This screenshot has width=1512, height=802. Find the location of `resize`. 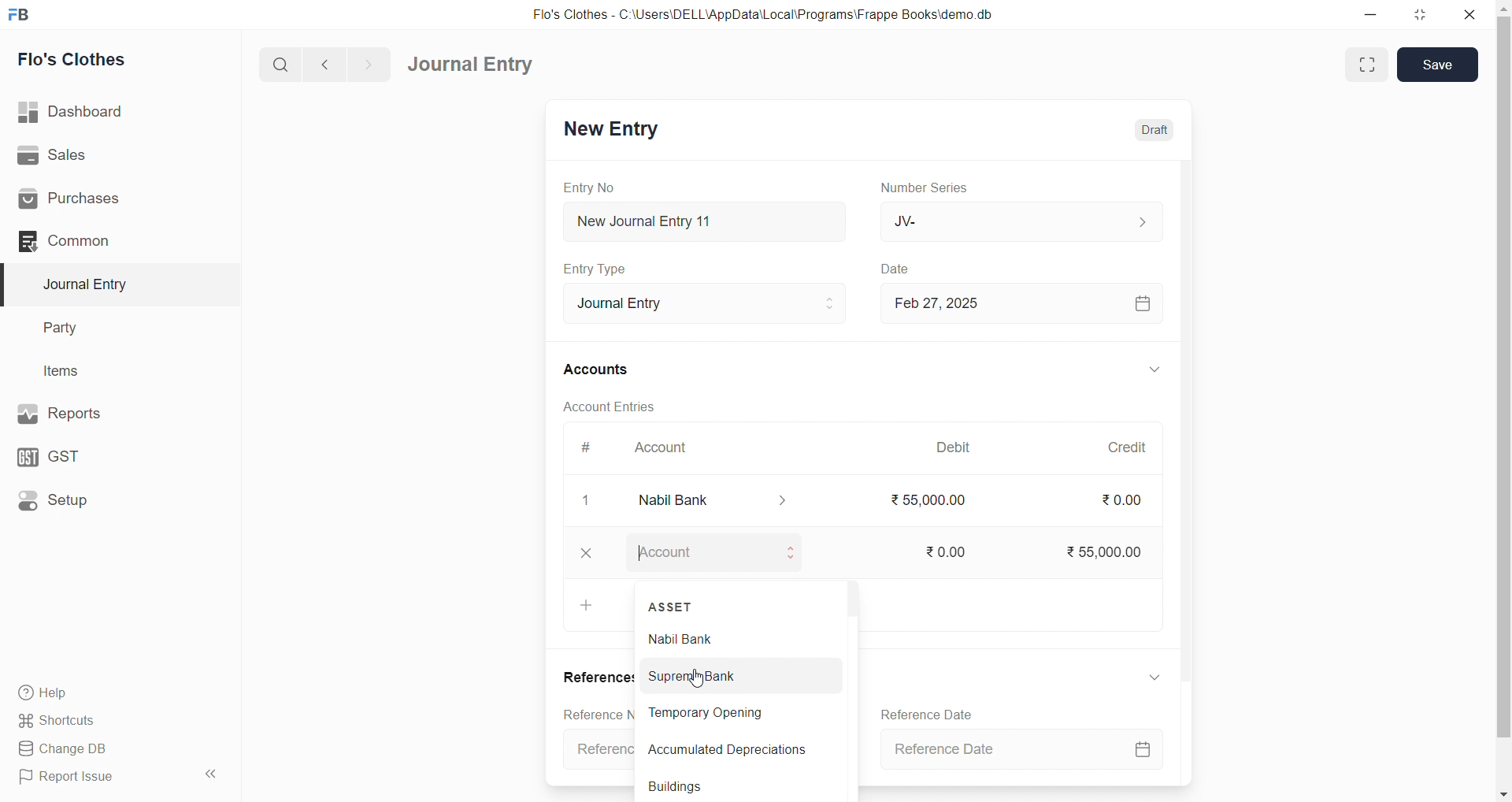

resize is located at coordinates (1424, 14).